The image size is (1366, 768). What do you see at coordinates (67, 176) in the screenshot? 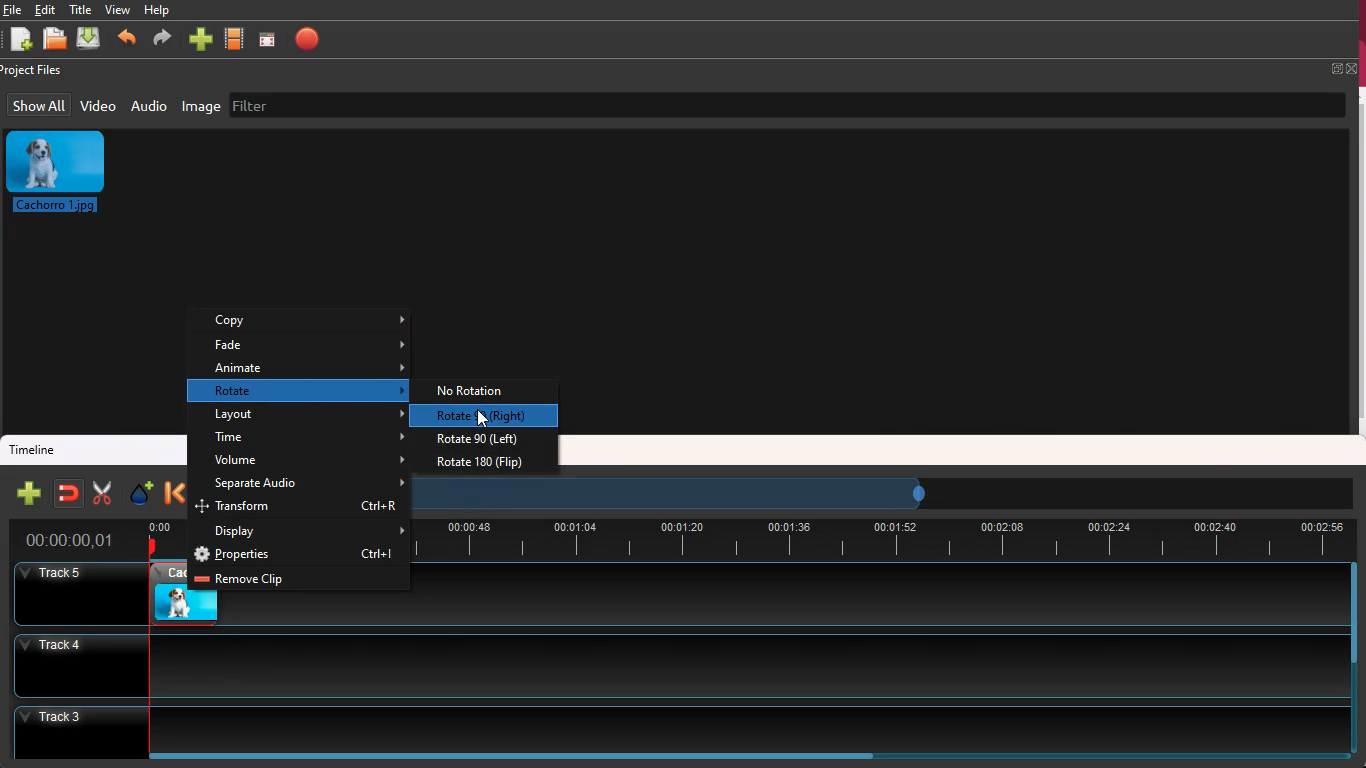
I see `image` at bounding box center [67, 176].